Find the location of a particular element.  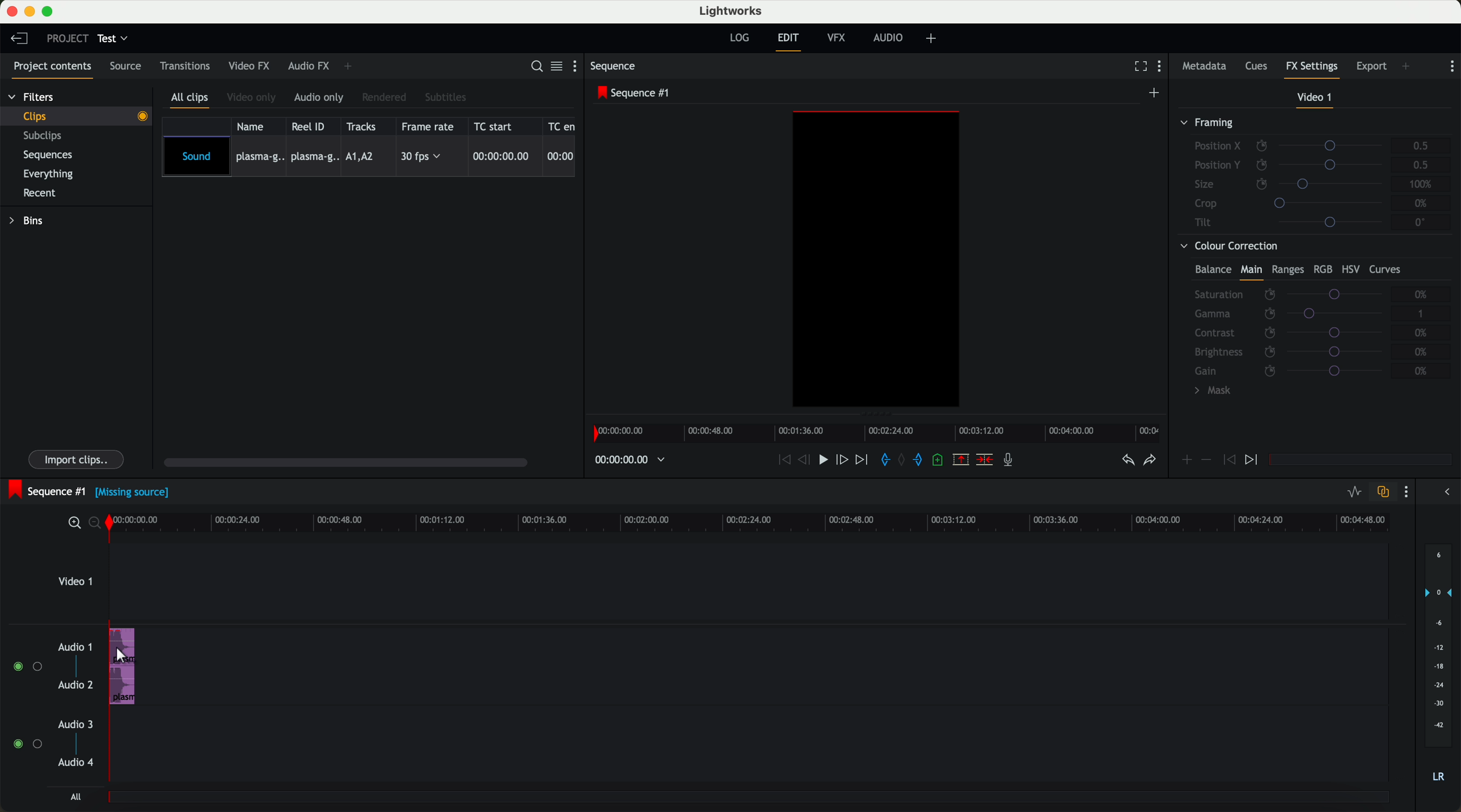

add is located at coordinates (1407, 66).